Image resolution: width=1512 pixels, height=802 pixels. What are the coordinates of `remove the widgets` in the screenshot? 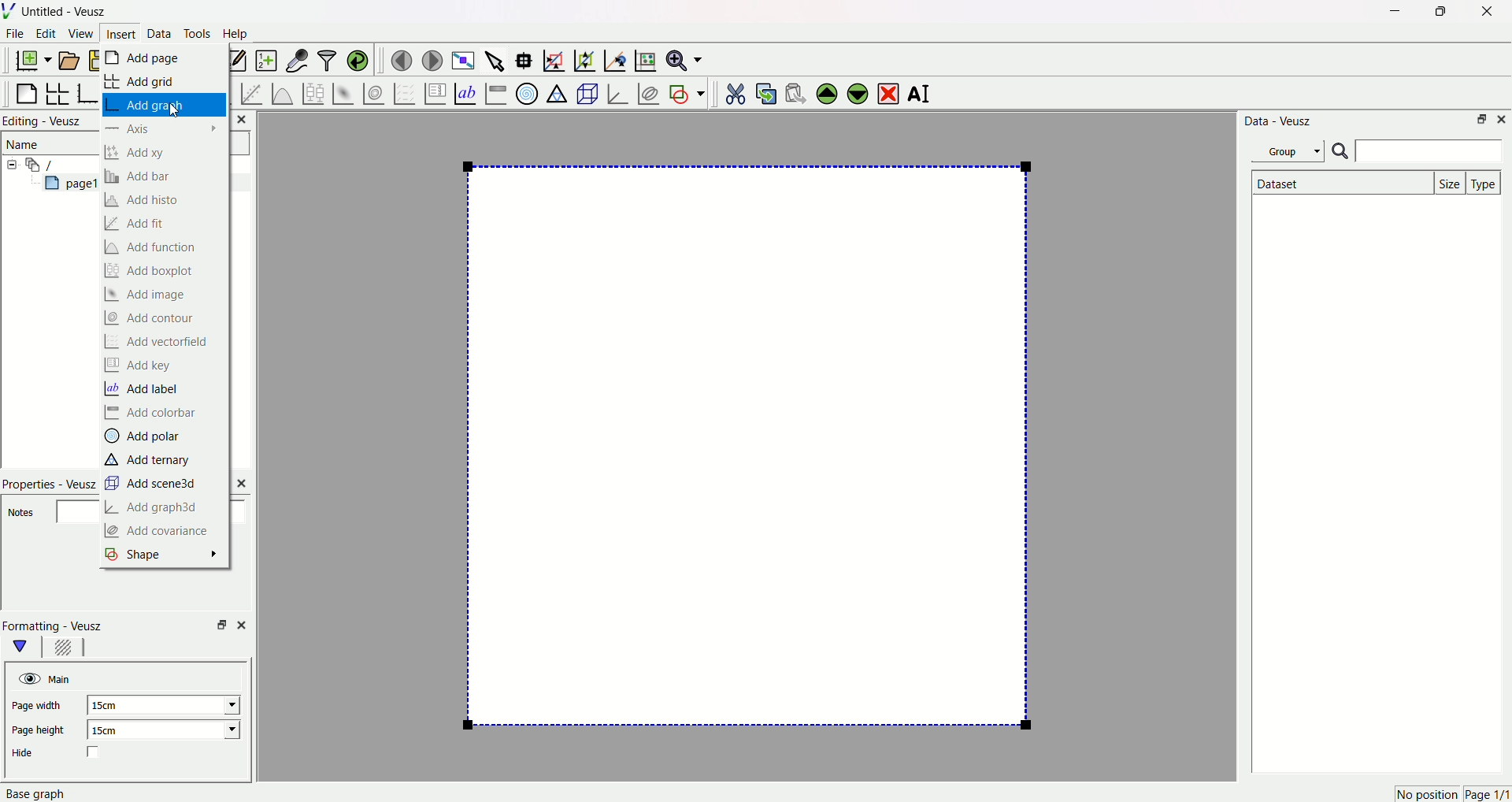 It's located at (888, 92).